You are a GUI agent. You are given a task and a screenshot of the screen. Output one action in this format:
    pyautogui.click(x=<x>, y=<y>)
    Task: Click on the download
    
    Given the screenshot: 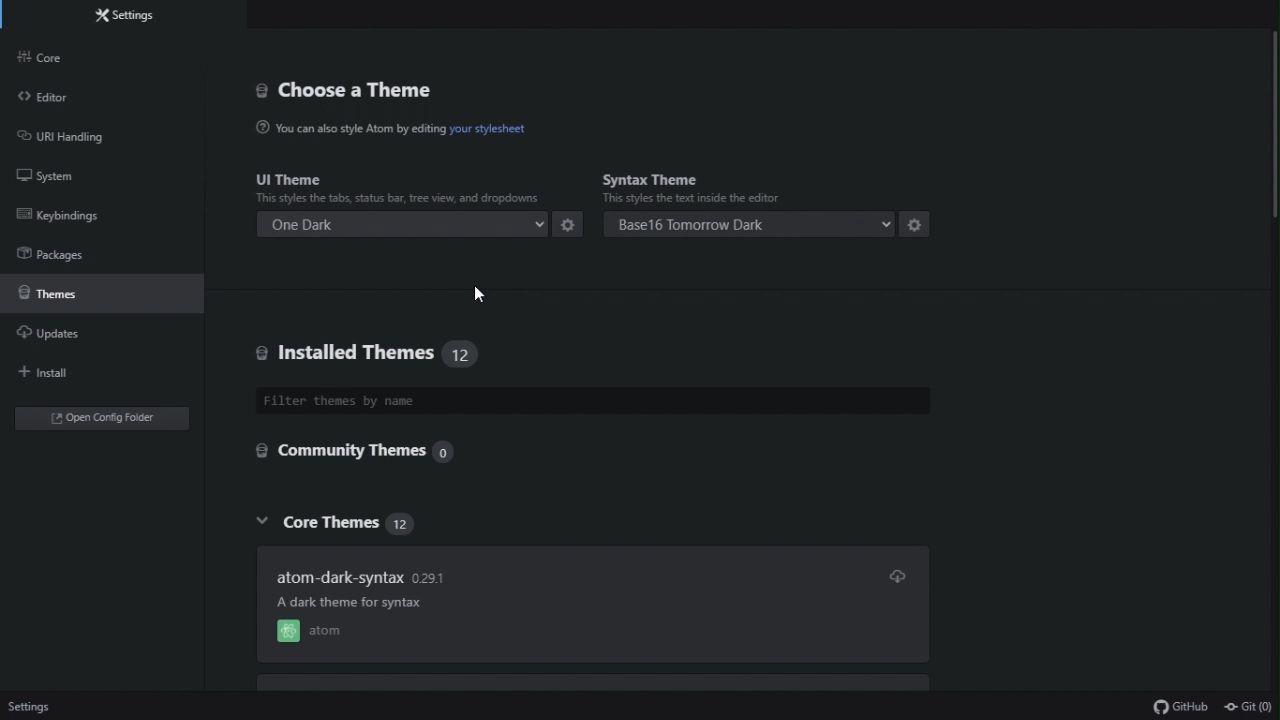 What is the action you would take?
    pyautogui.click(x=896, y=577)
    